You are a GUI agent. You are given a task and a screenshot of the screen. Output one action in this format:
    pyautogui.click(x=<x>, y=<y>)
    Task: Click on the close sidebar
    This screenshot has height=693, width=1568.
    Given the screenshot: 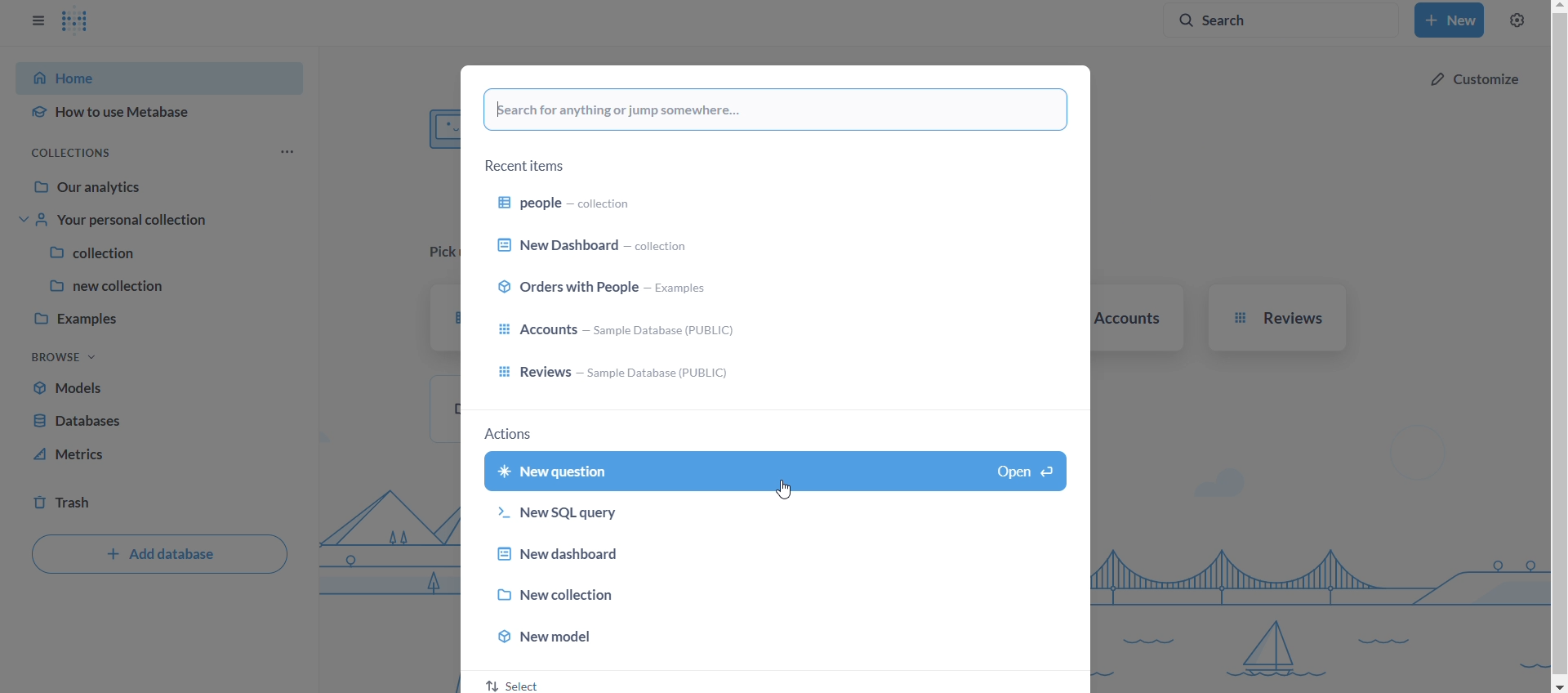 What is the action you would take?
    pyautogui.click(x=38, y=20)
    